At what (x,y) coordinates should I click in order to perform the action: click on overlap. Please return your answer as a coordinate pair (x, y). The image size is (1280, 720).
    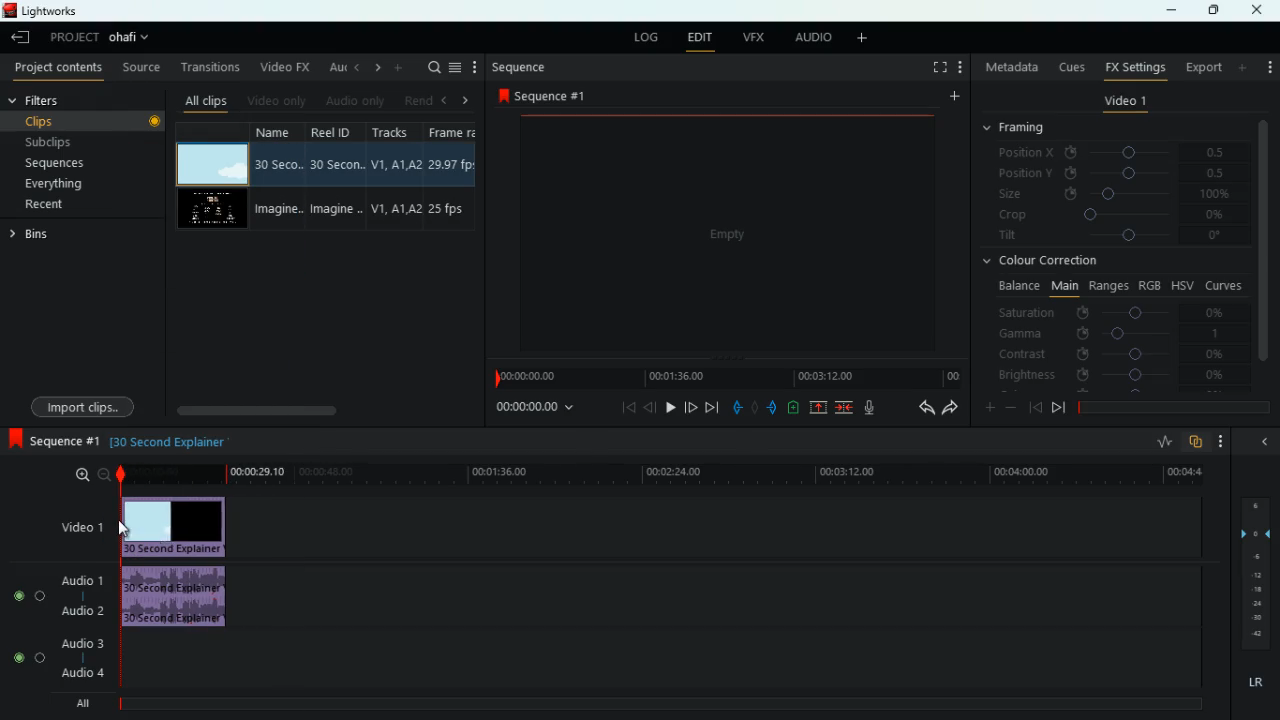
    Looking at the image, I should click on (1196, 443).